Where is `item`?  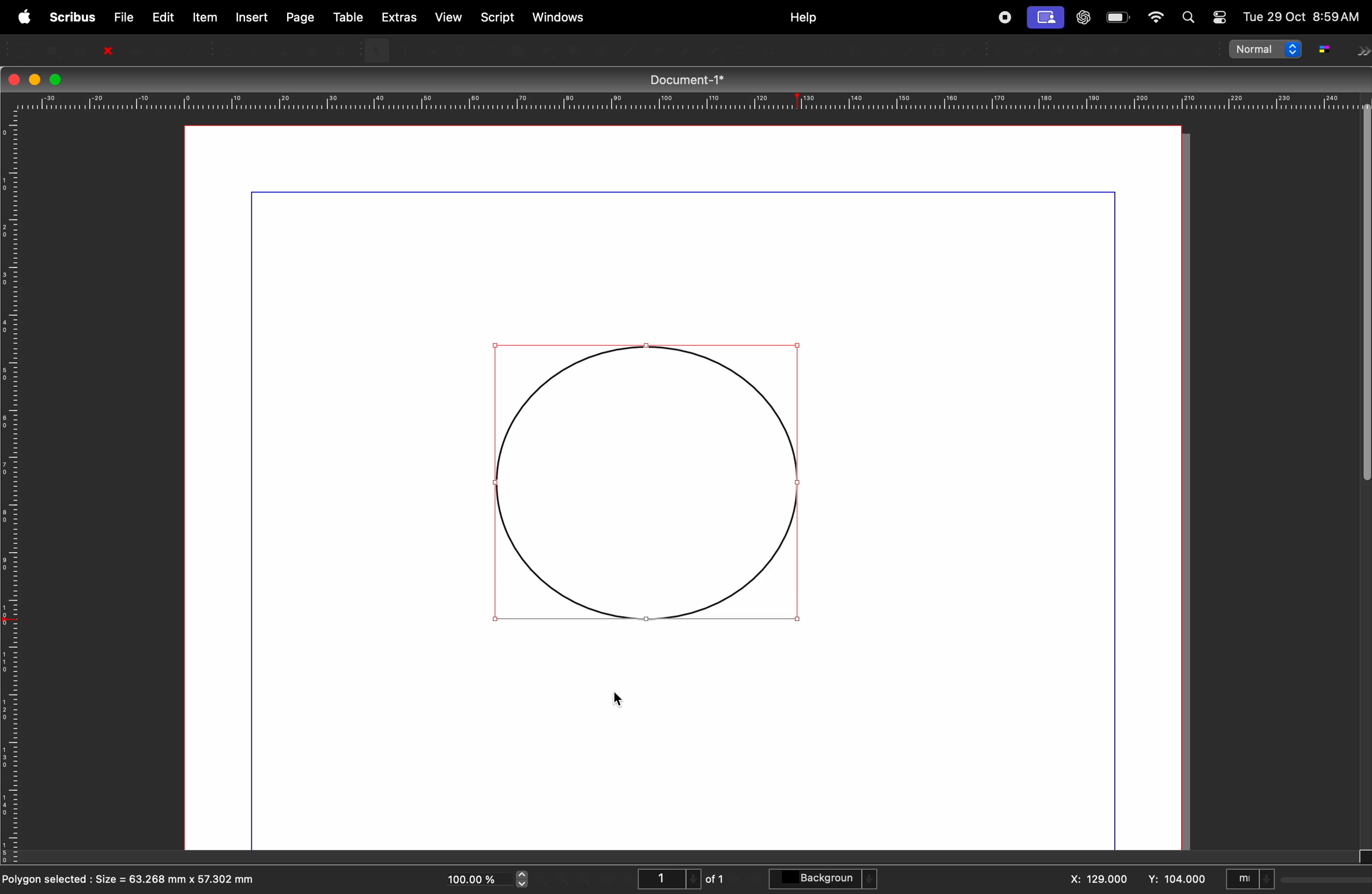
item is located at coordinates (205, 17).